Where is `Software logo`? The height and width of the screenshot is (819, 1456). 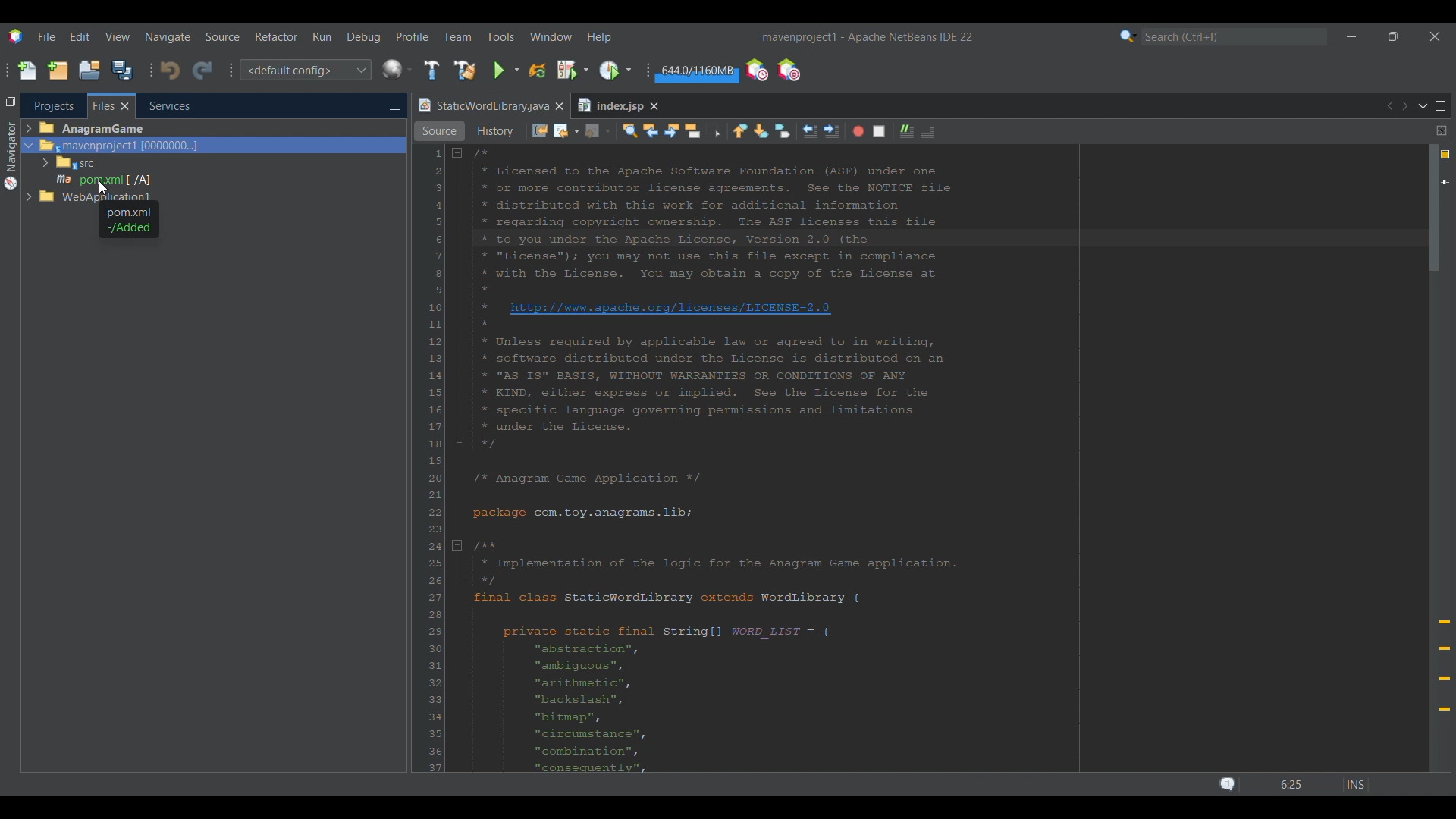
Software logo is located at coordinates (16, 37).